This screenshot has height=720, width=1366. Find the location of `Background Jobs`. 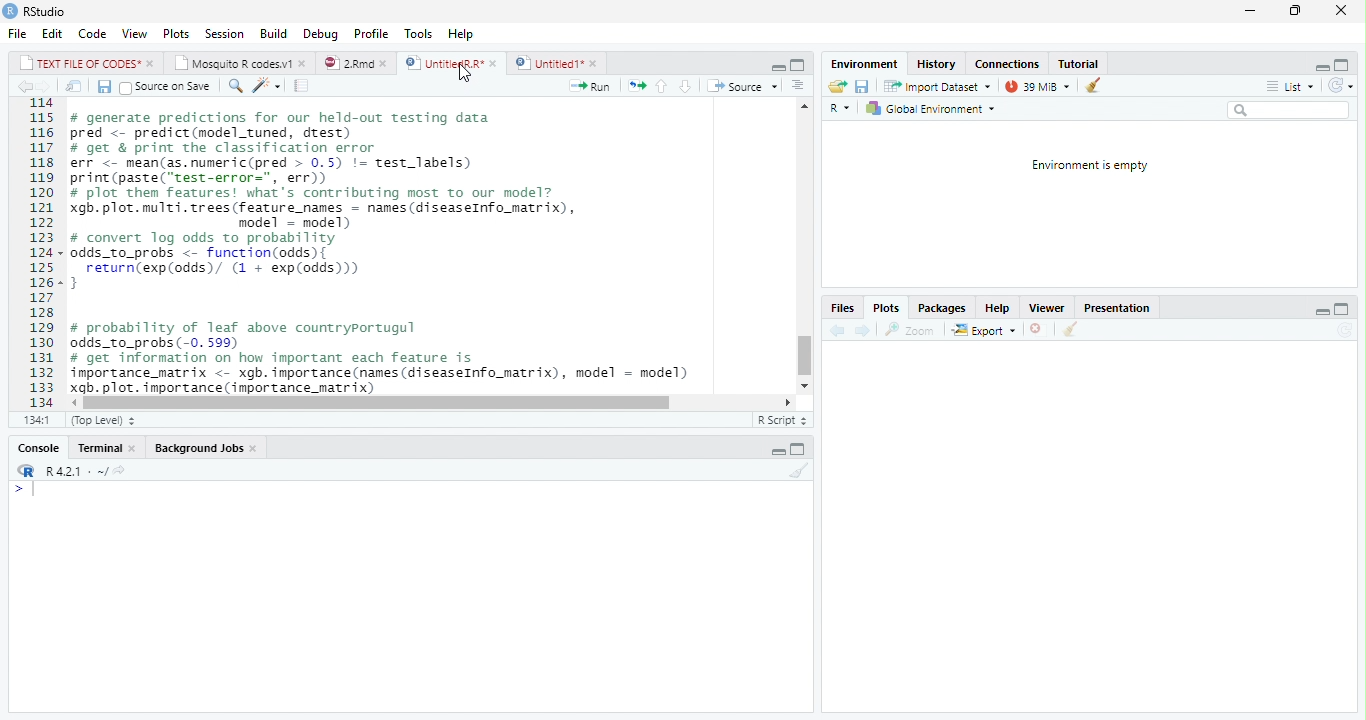

Background Jobs is located at coordinates (206, 447).